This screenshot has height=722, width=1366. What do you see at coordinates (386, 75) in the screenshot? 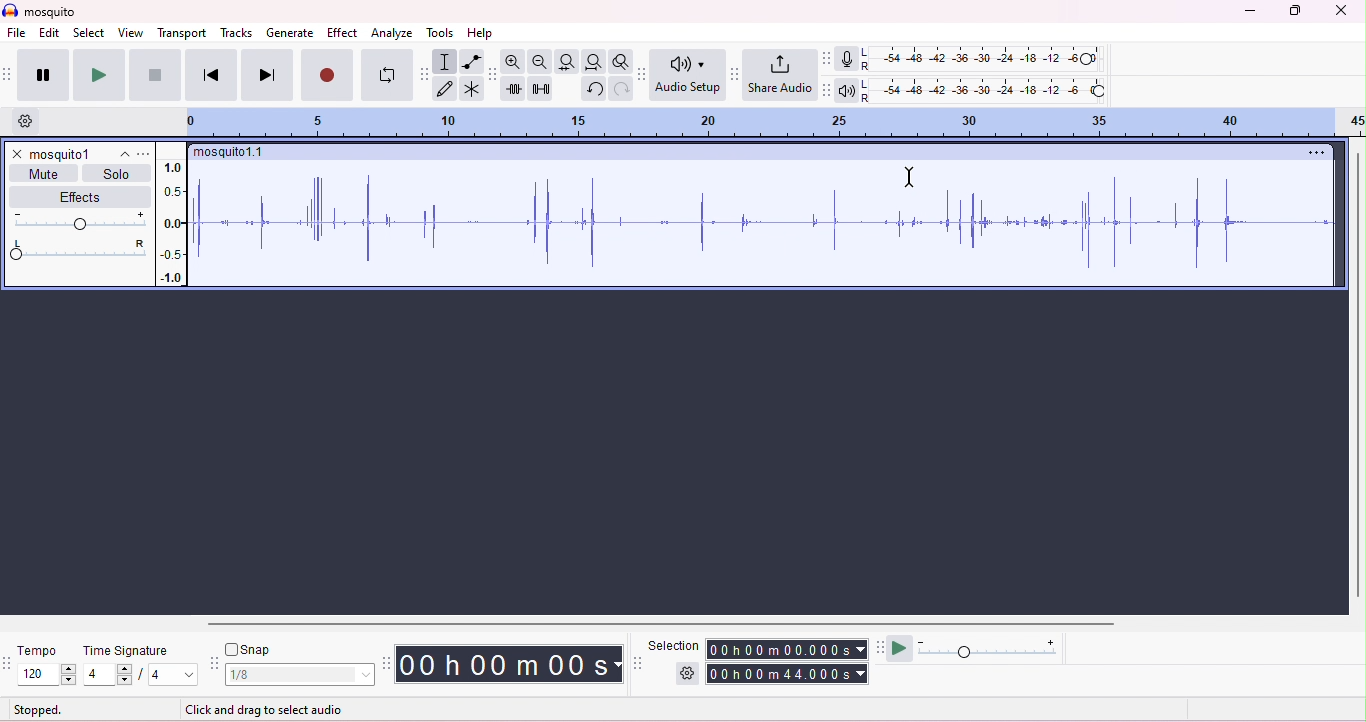
I see `loop` at bounding box center [386, 75].